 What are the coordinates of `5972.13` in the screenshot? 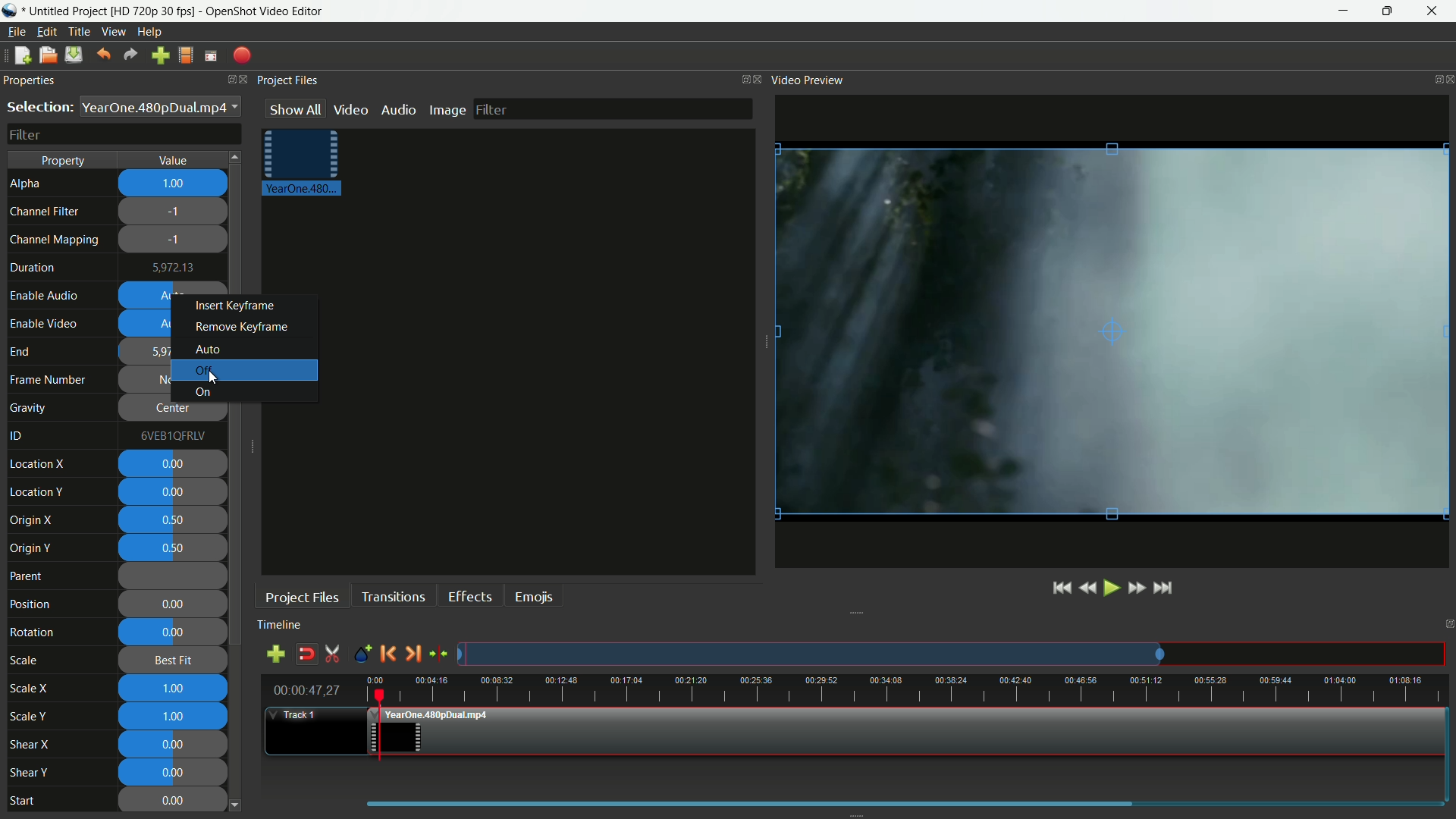 It's located at (177, 268).